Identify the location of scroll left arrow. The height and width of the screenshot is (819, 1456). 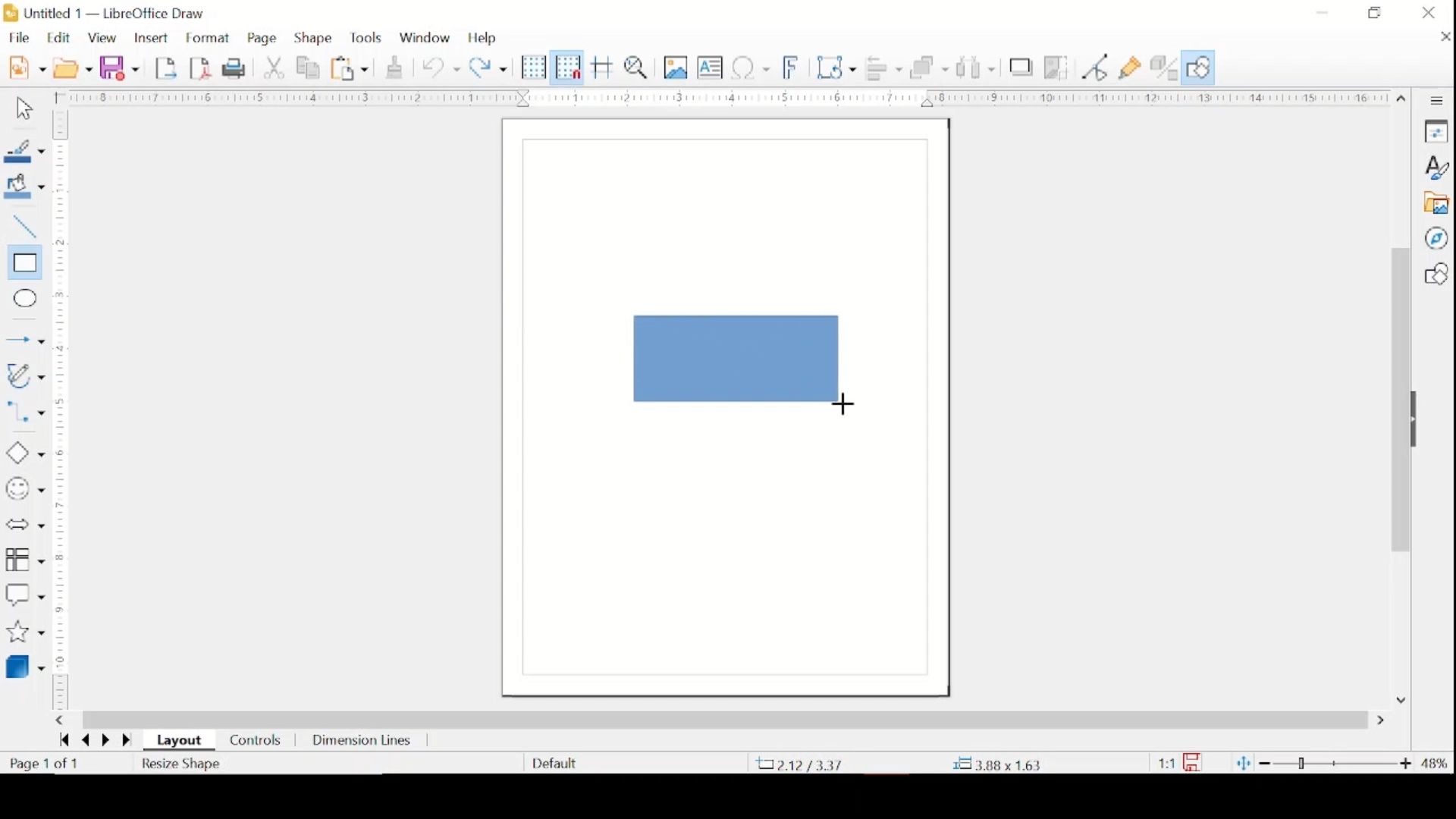
(59, 720).